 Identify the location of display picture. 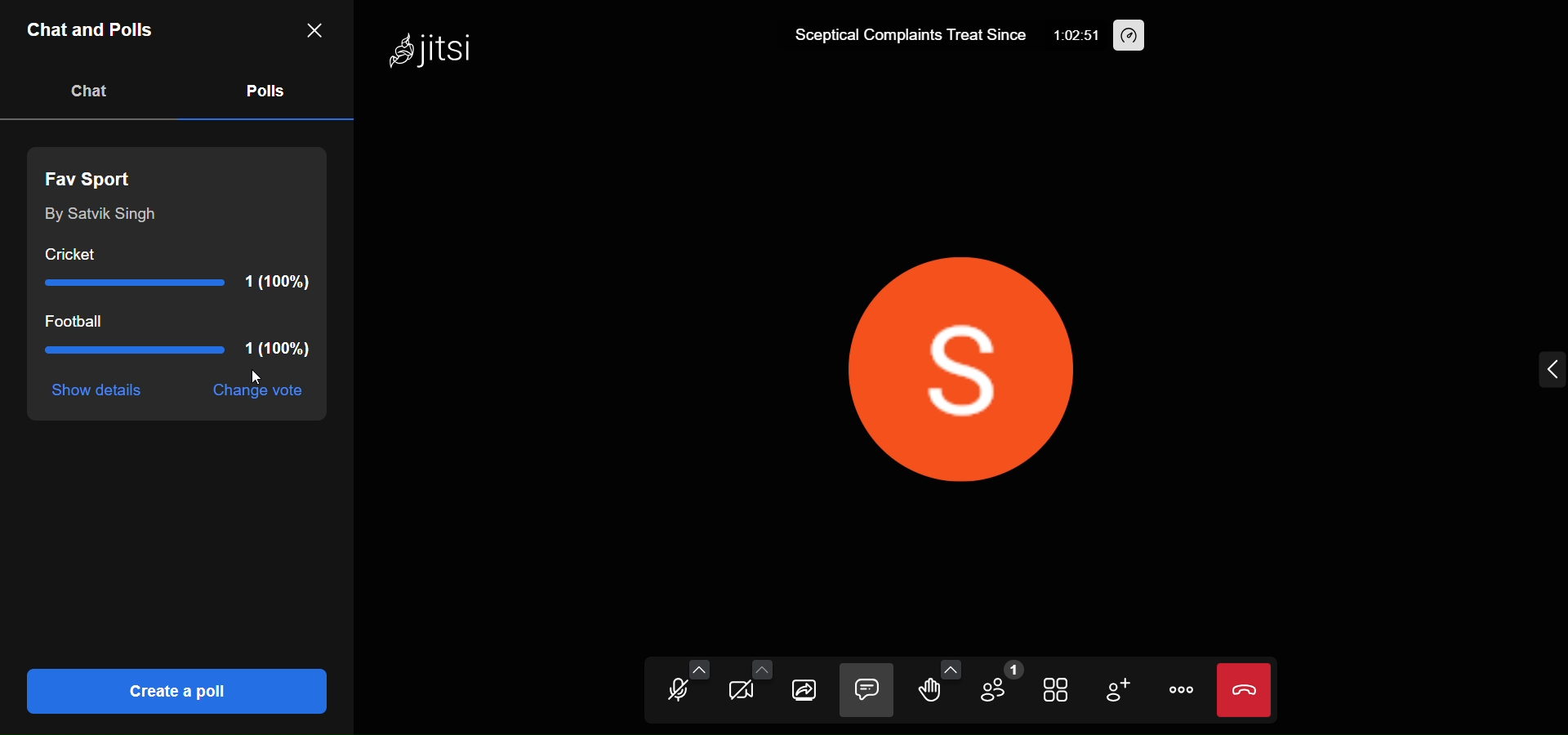
(973, 359).